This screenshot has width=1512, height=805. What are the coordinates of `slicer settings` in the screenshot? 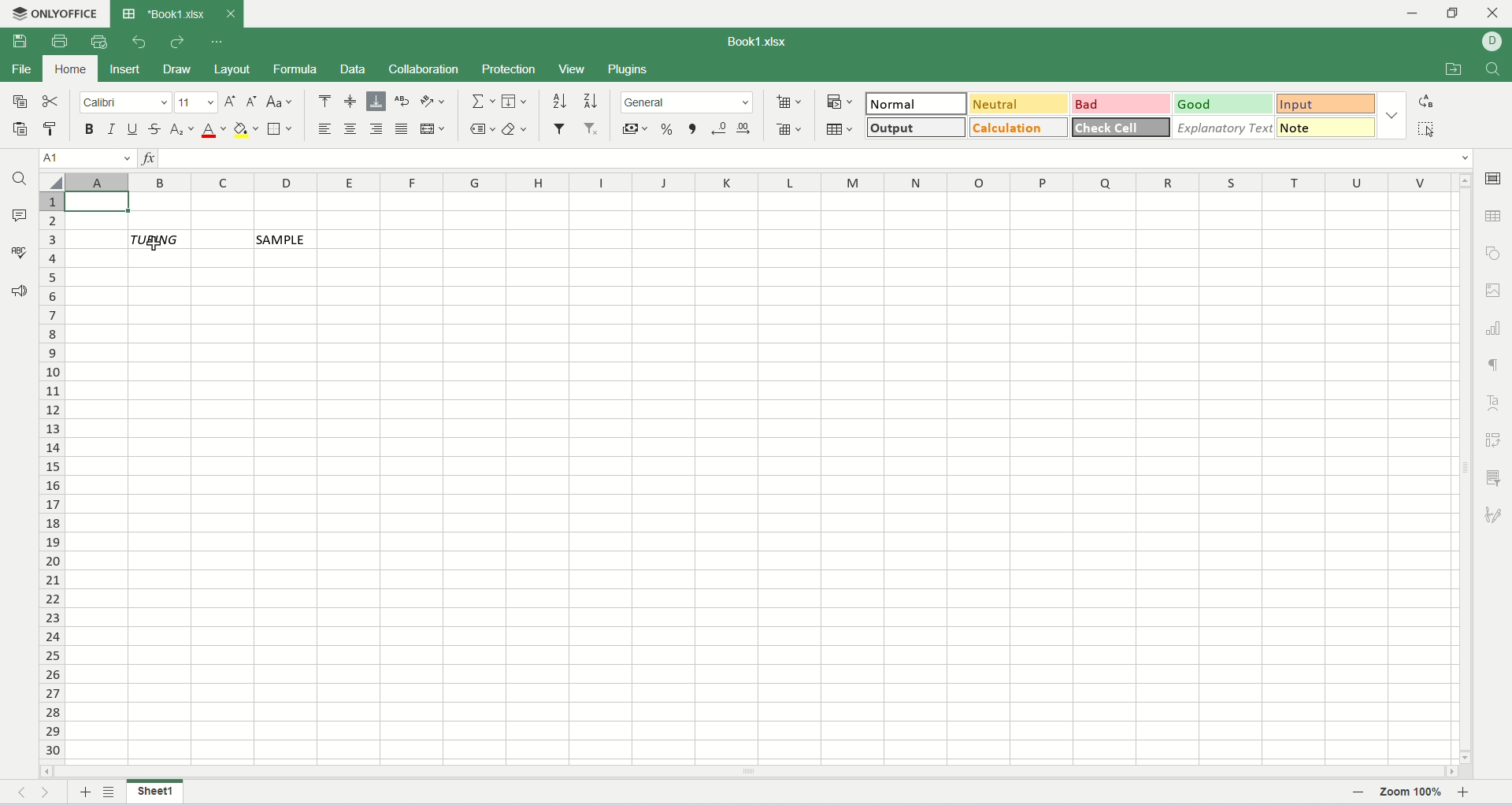 It's located at (1494, 477).